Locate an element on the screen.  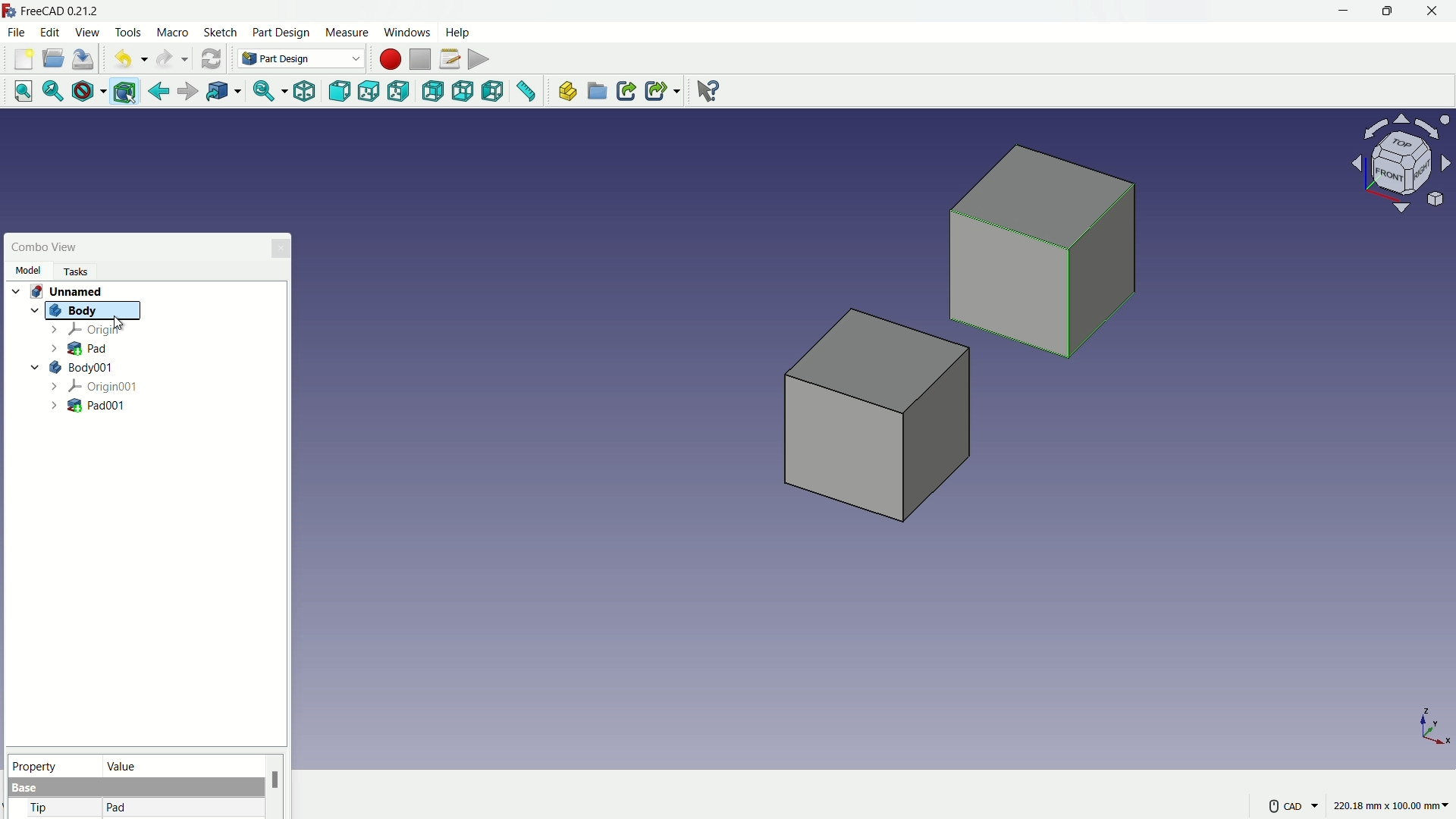
new file is located at coordinates (24, 59).